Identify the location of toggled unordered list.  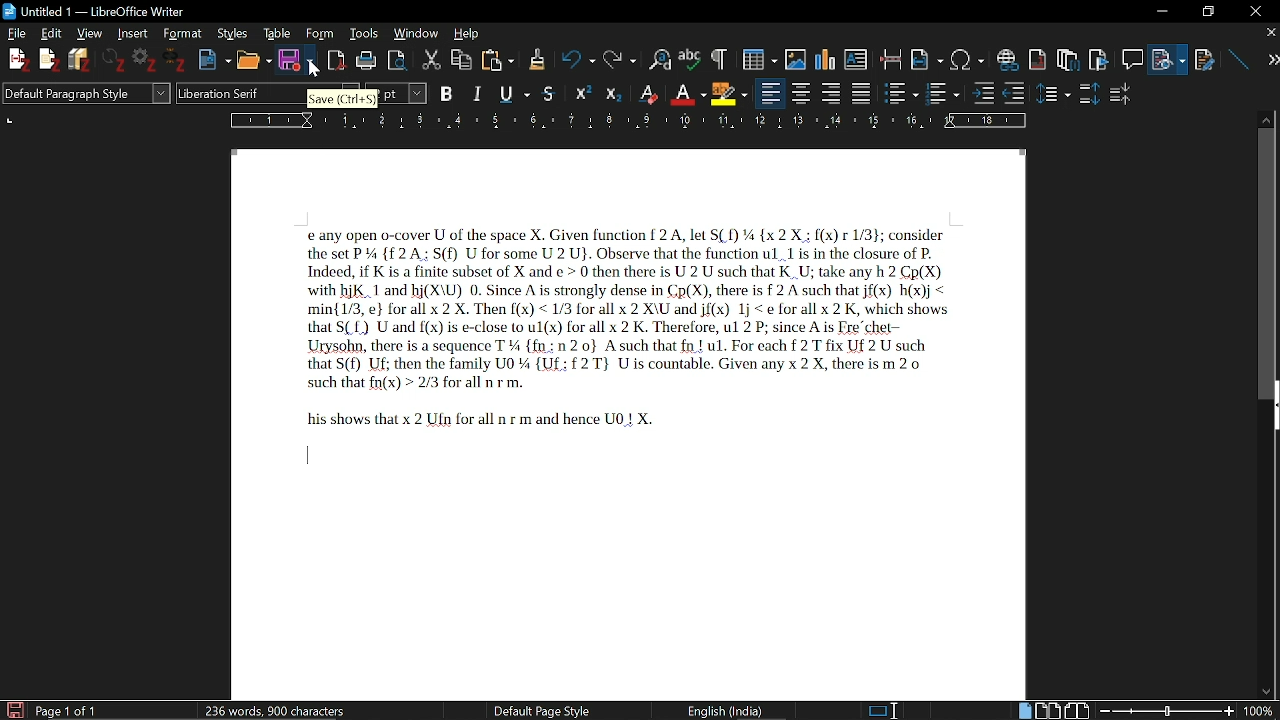
(901, 93).